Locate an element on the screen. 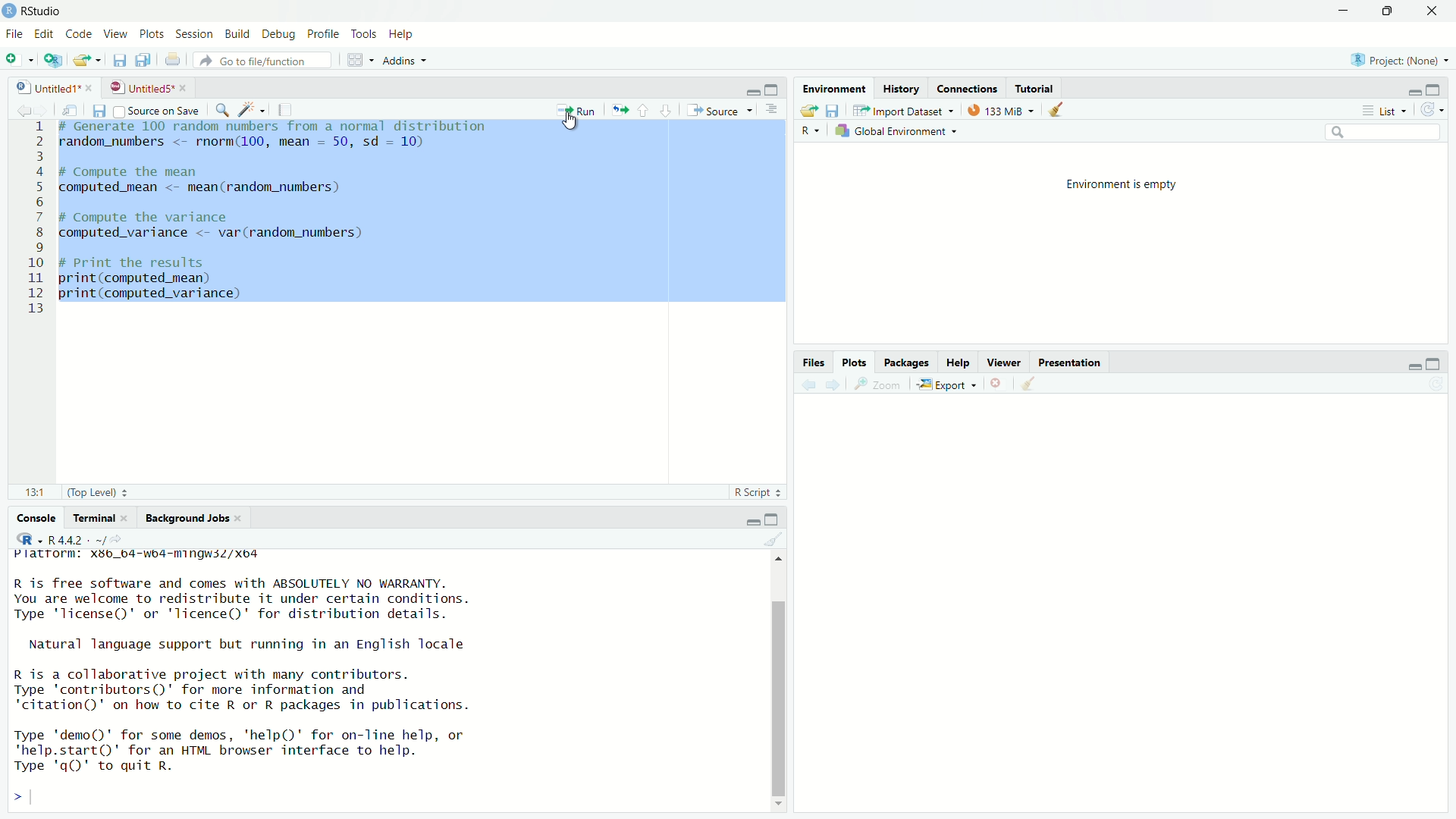  viewer is located at coordinates (1006, 361).